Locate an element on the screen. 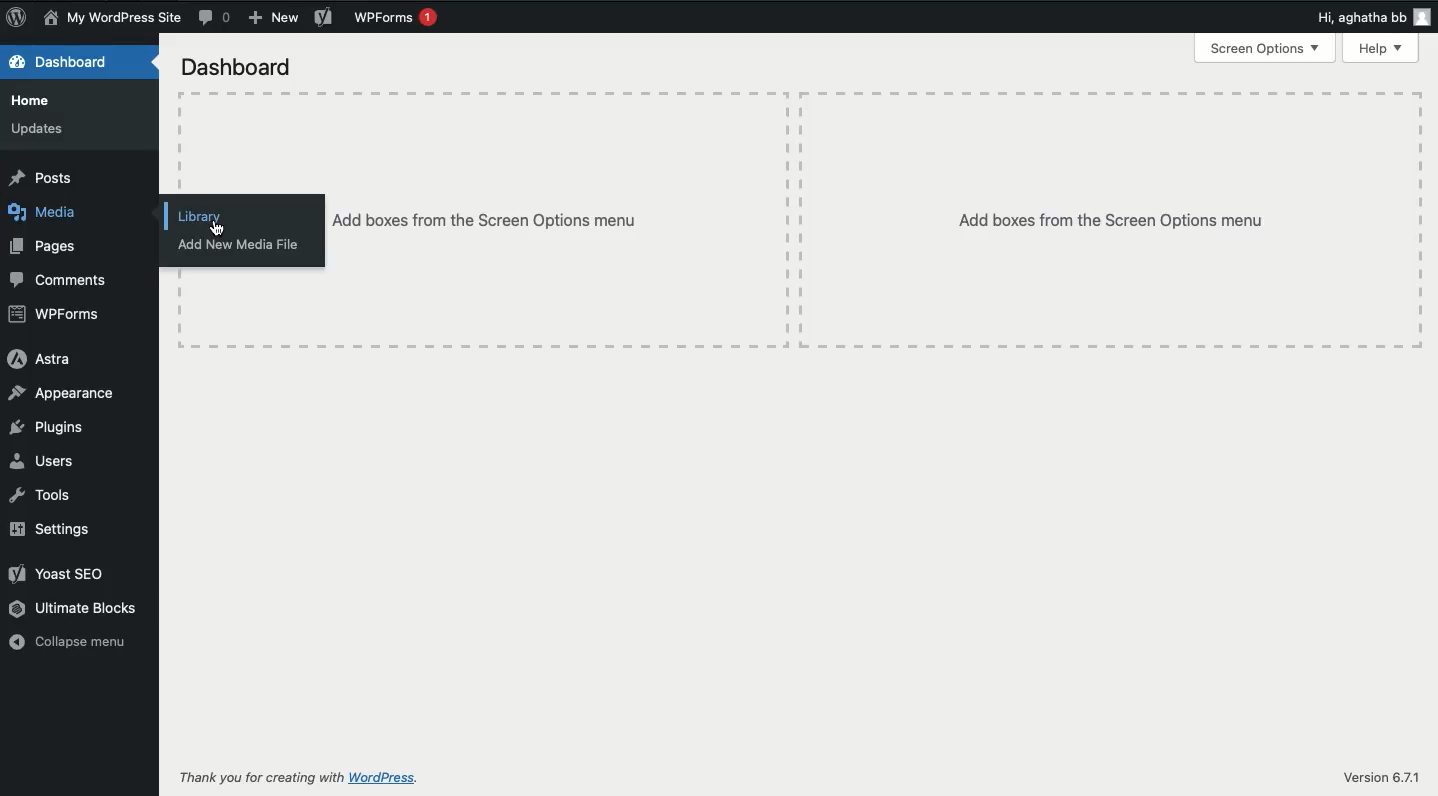 This screenshot has width=1438, height=796. Updates is located at coordinates (39, 131).